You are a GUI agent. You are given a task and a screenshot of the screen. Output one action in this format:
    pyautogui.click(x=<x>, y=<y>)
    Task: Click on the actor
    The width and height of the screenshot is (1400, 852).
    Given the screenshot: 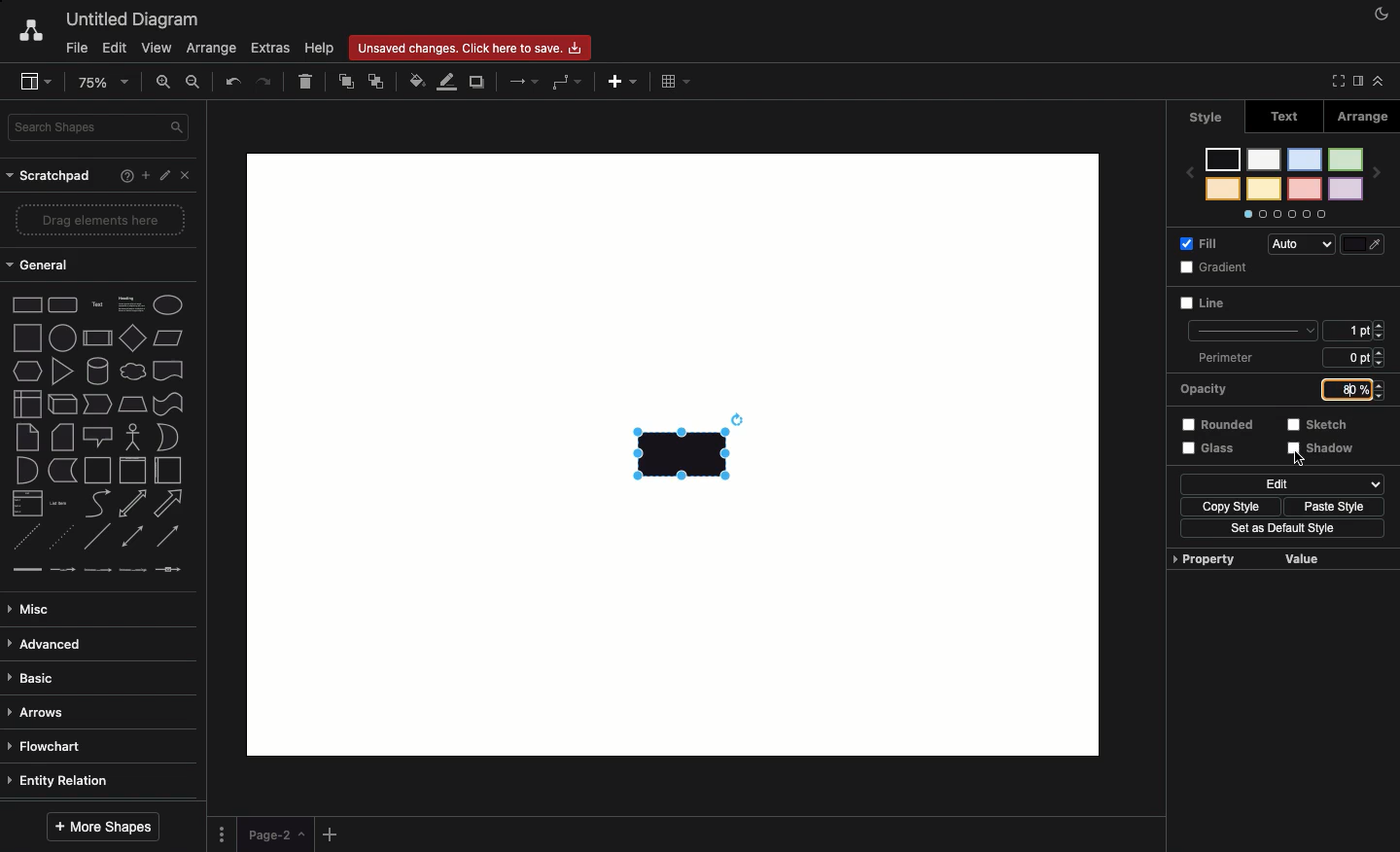 What is the action you would take?
    pyautogui.click(x=135, y=437)
    